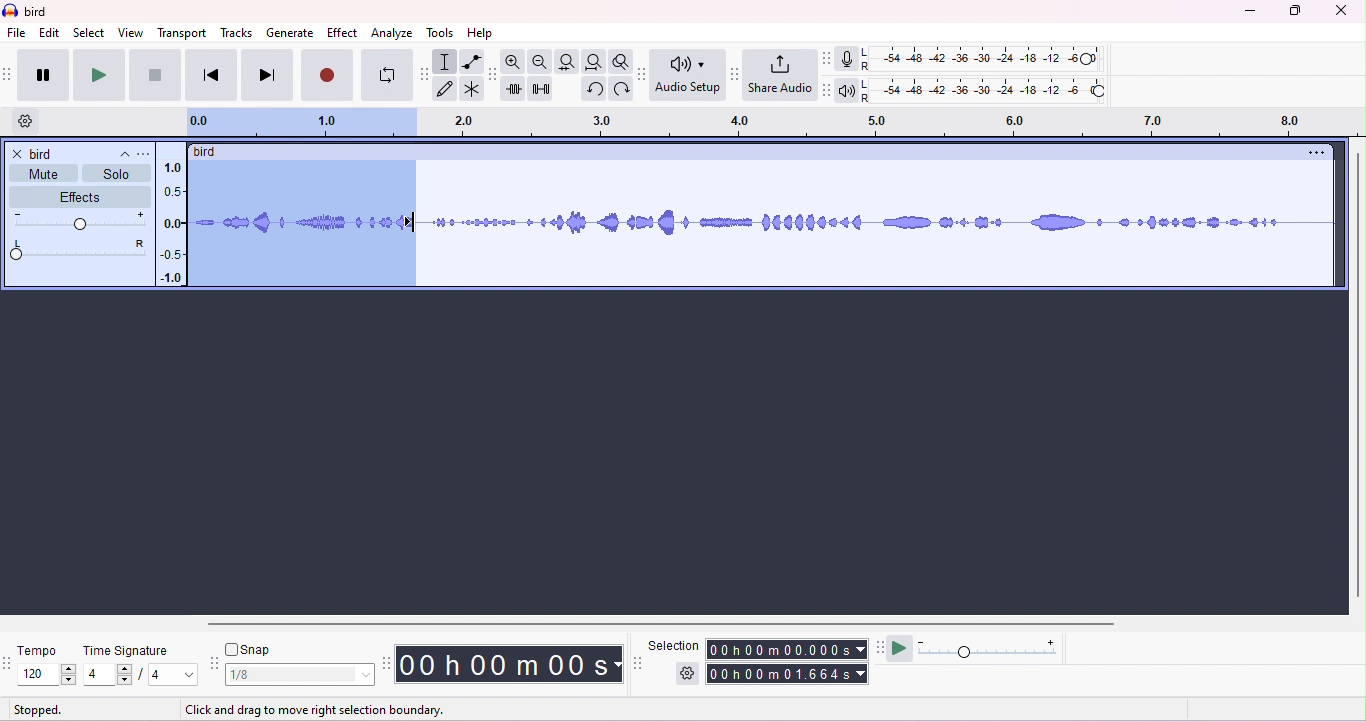 The width and height of the screenshot is (1366, 722). Describe the element at coordinates (129, 650) in the screenshot. I see `time signature` at that location.